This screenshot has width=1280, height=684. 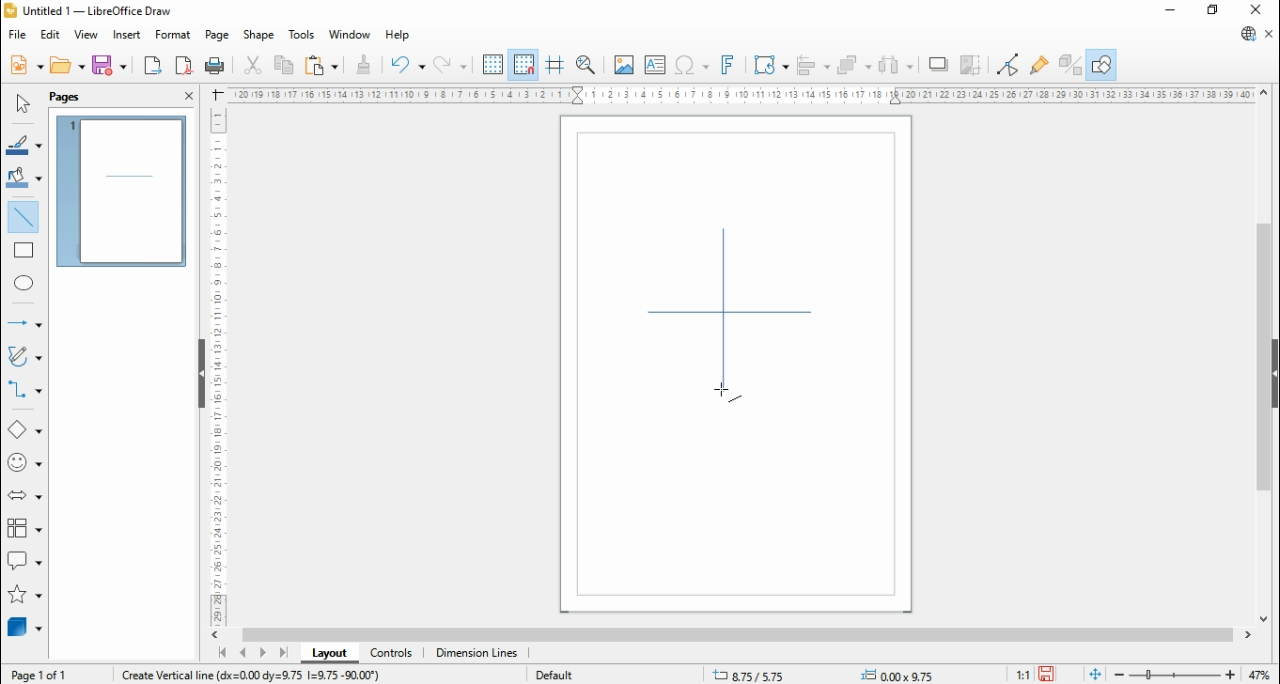 I want to click on default, so click(x=555, y=675).